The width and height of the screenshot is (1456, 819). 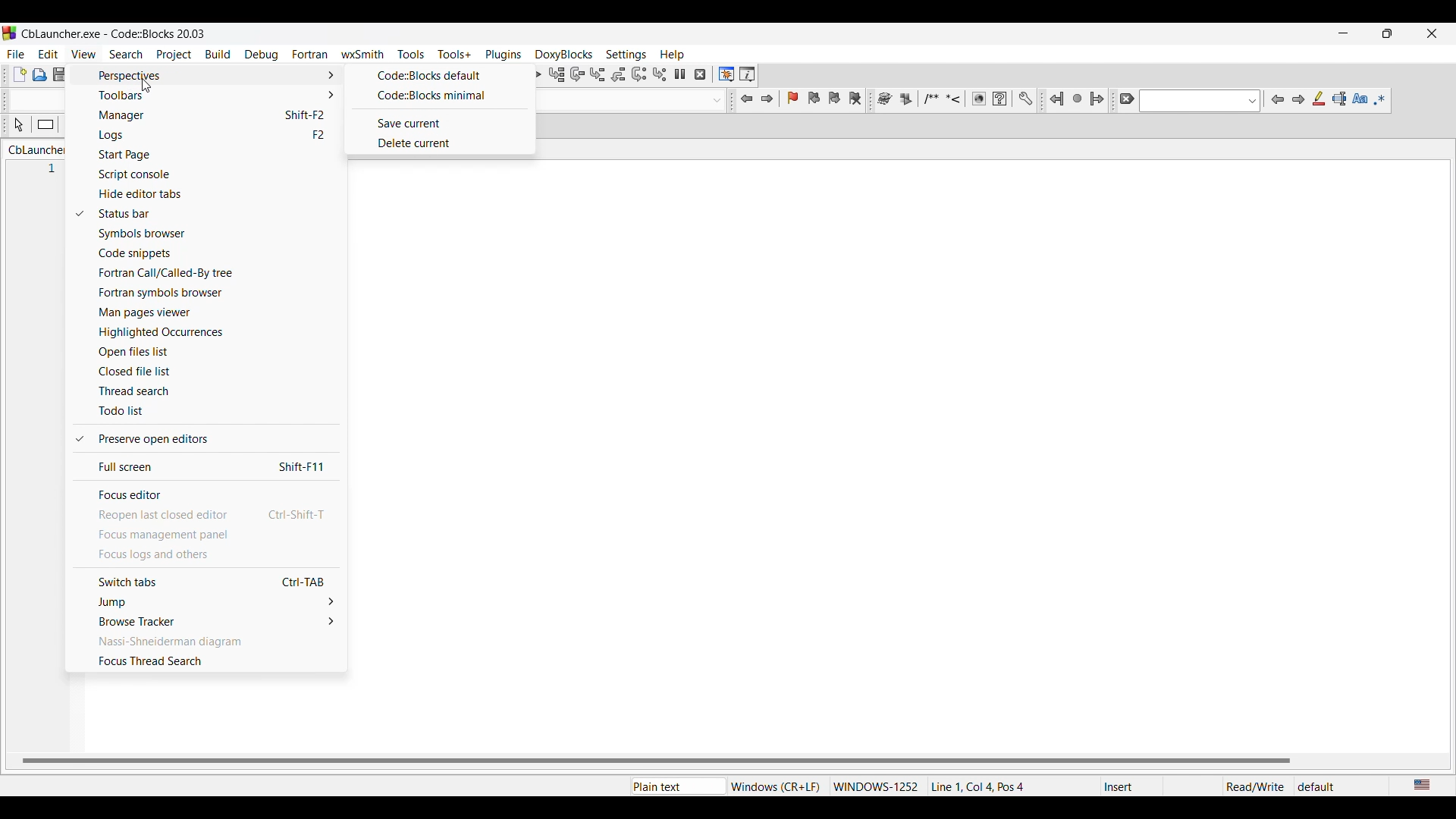 What do you see at coordinates (855, 98) in the screenshot?
I see `Clear bookmarks` at bounding box center [855, 98].